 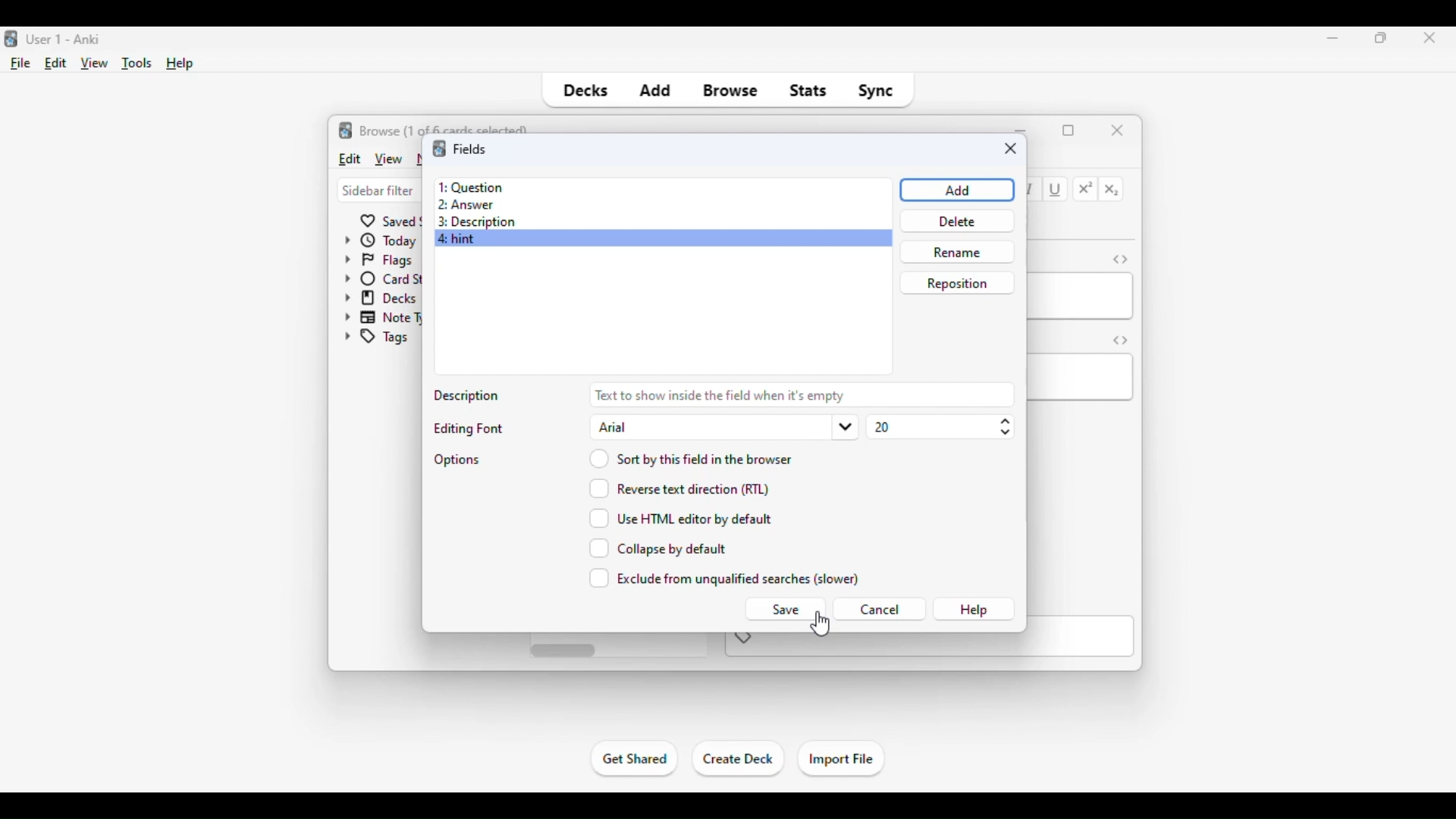 What do you see at coordinates (1011, 149) in the screenshot?
I see `close` at bounding box center [1011, 149].